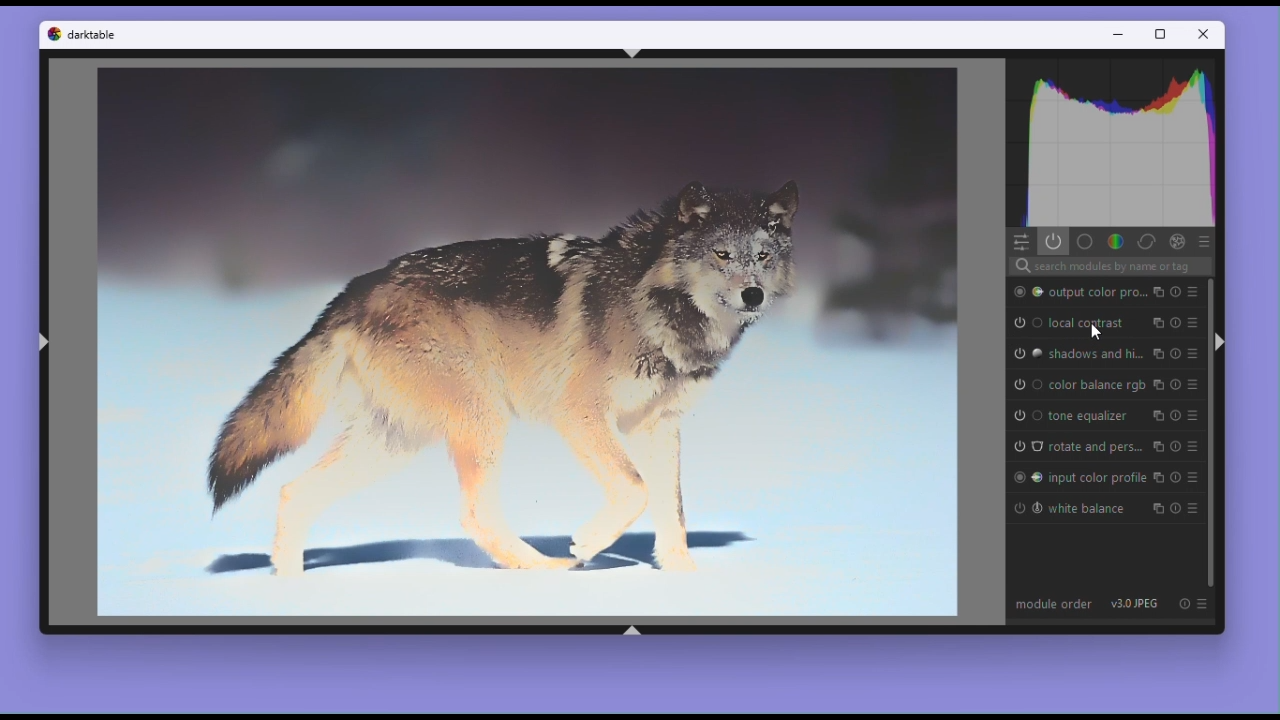 The image size is (1280, 720). What do you see at coordinates (92, 34) in the screenshot?
I see `darktable` at bounding box center [92, 34].